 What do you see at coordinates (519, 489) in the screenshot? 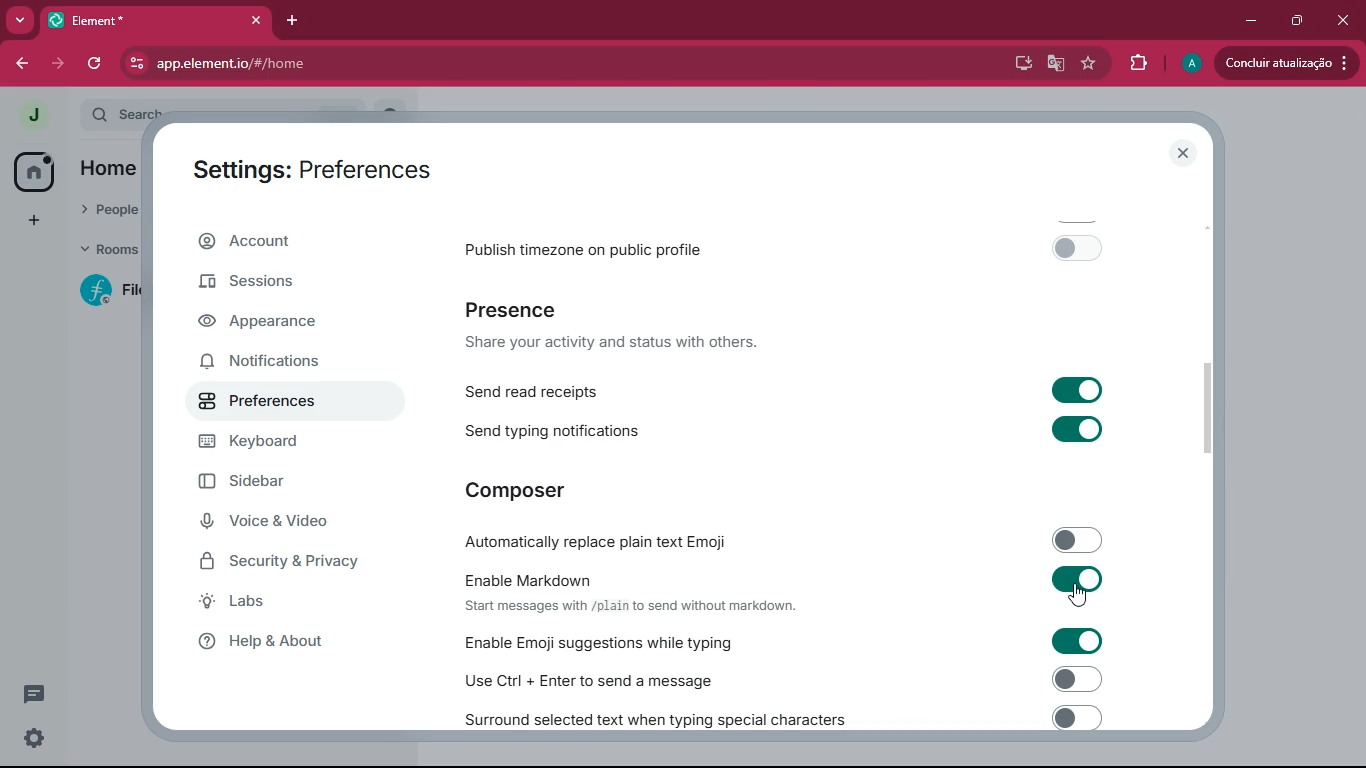
I see `composer` at bounding box center [519, 489].